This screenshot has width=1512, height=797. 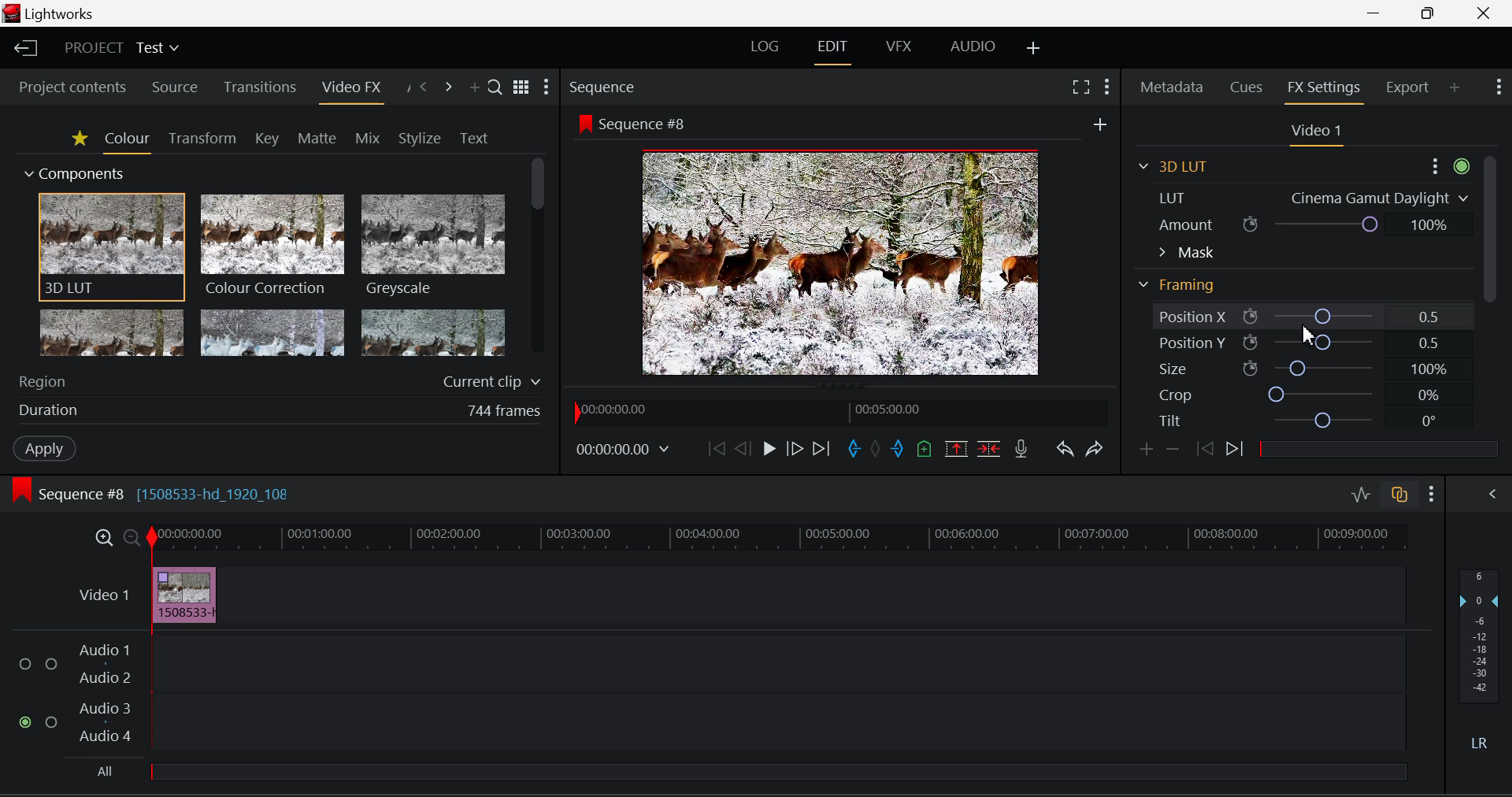 I want to click on Colour Tab Open, so click(x=127, y=143).